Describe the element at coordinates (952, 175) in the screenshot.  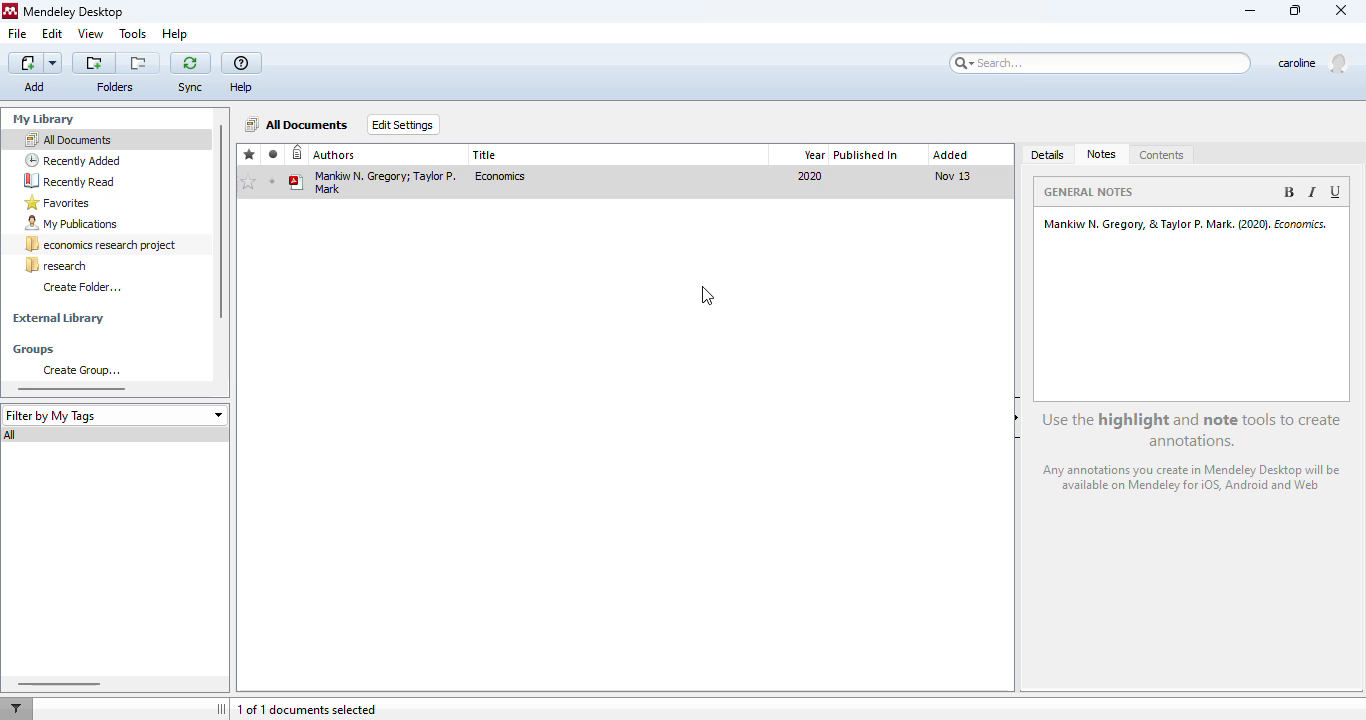
I see `nov 13` at that location.